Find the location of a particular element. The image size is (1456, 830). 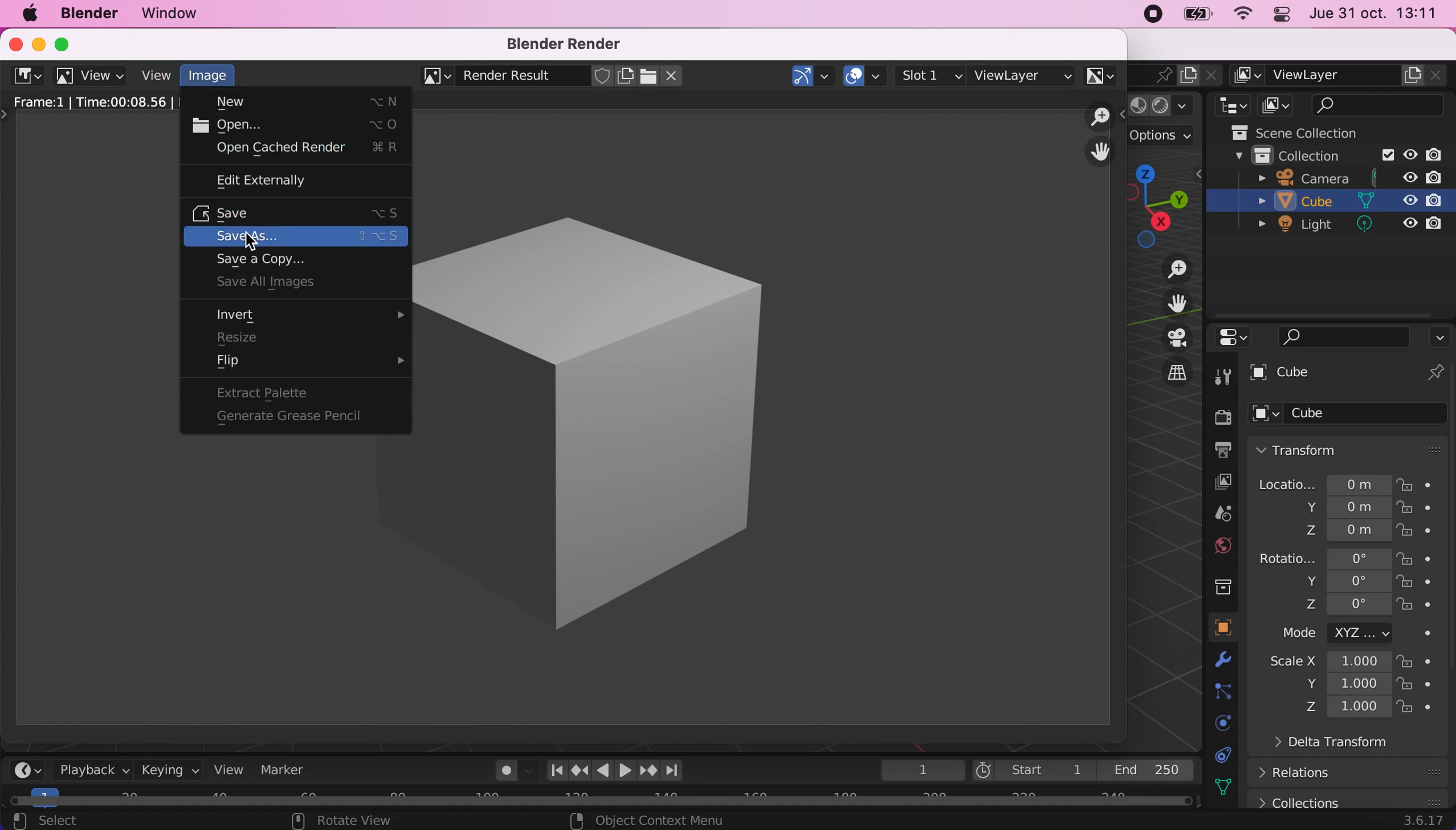

battery is located at coordinates (1201, 17).